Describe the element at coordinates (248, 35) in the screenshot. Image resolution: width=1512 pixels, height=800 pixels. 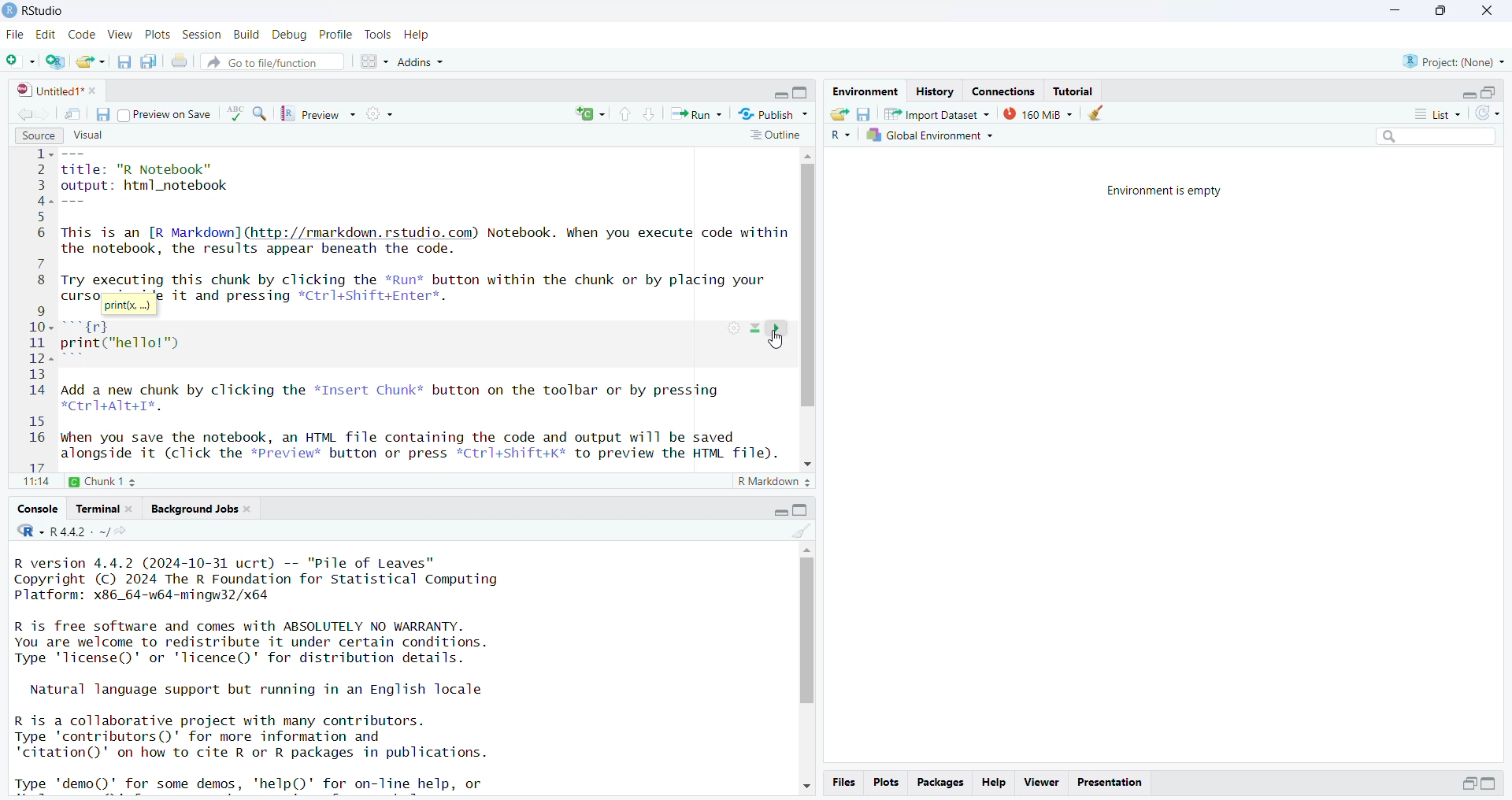
I see `build` at that location.